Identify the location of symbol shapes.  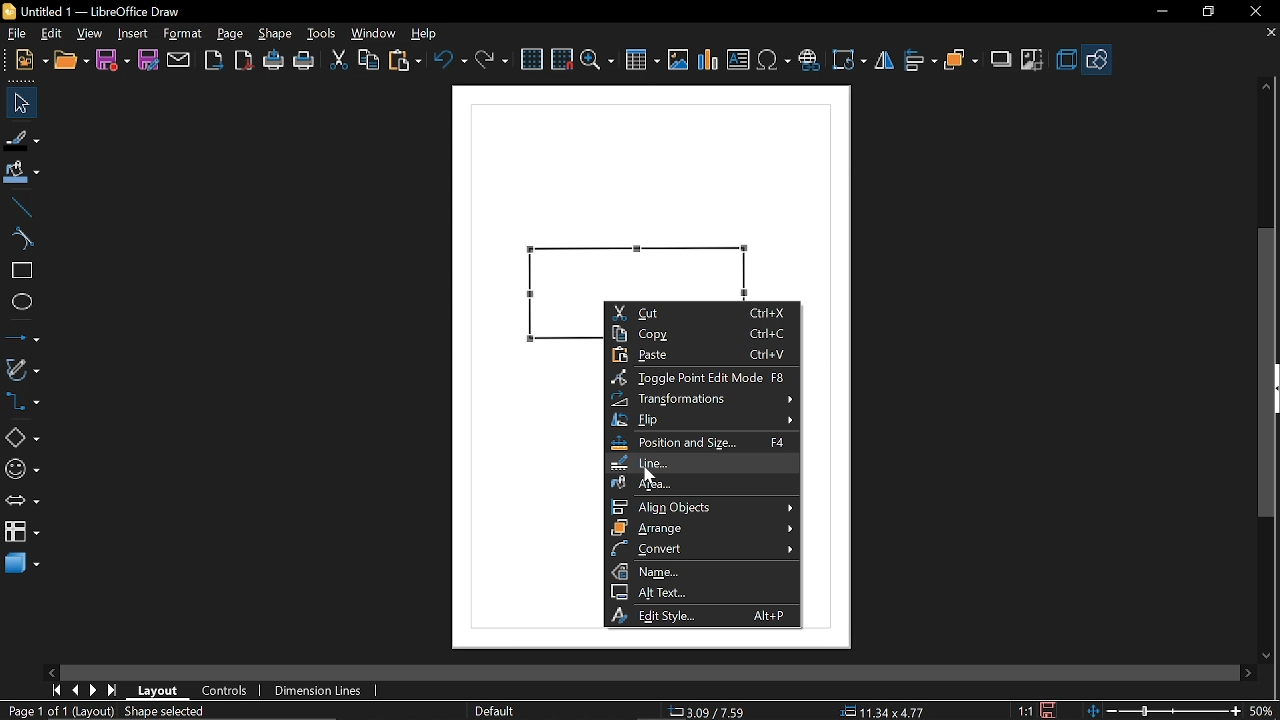
(22, 472).